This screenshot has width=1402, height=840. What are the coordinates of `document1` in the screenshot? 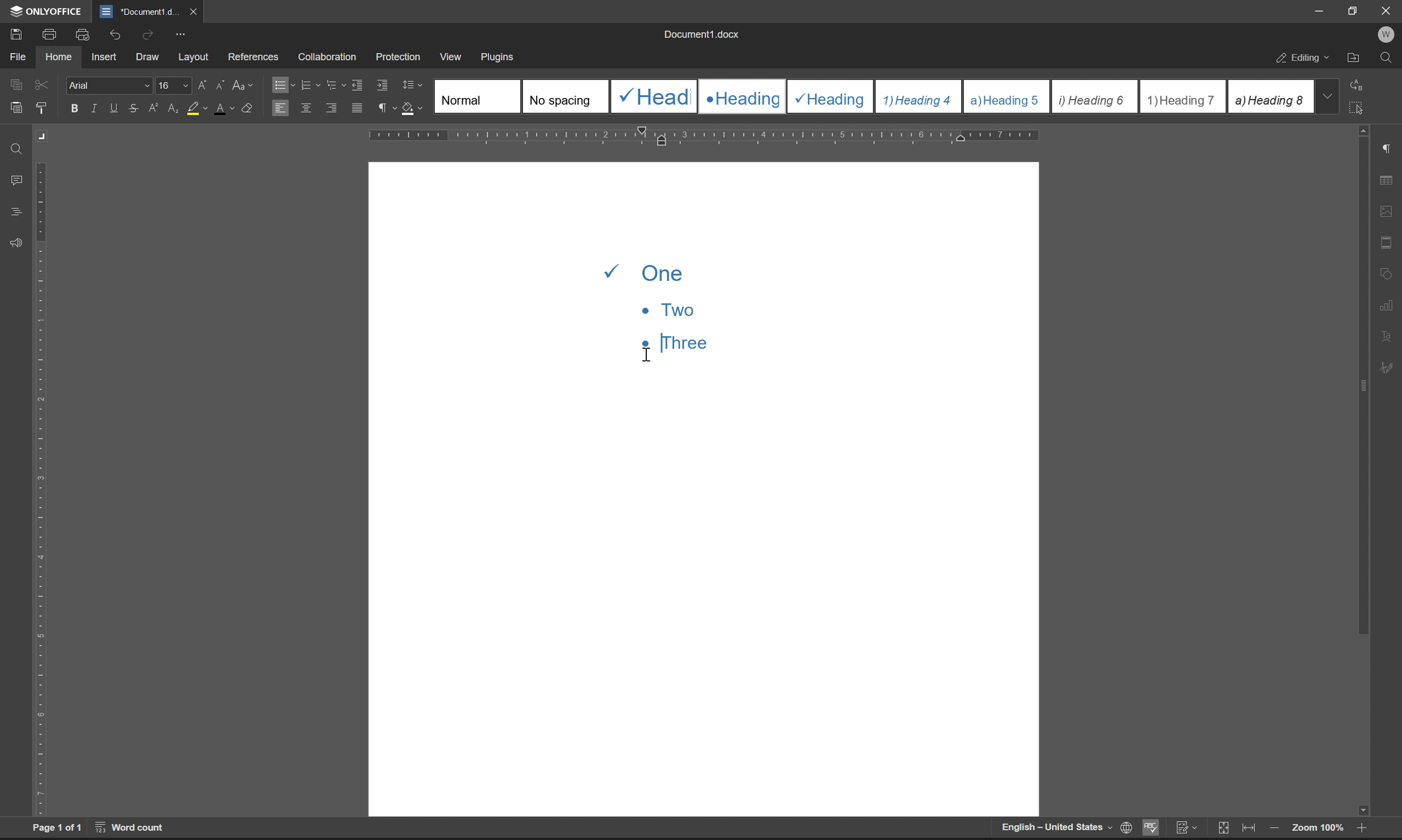 It's located at (139, 12).